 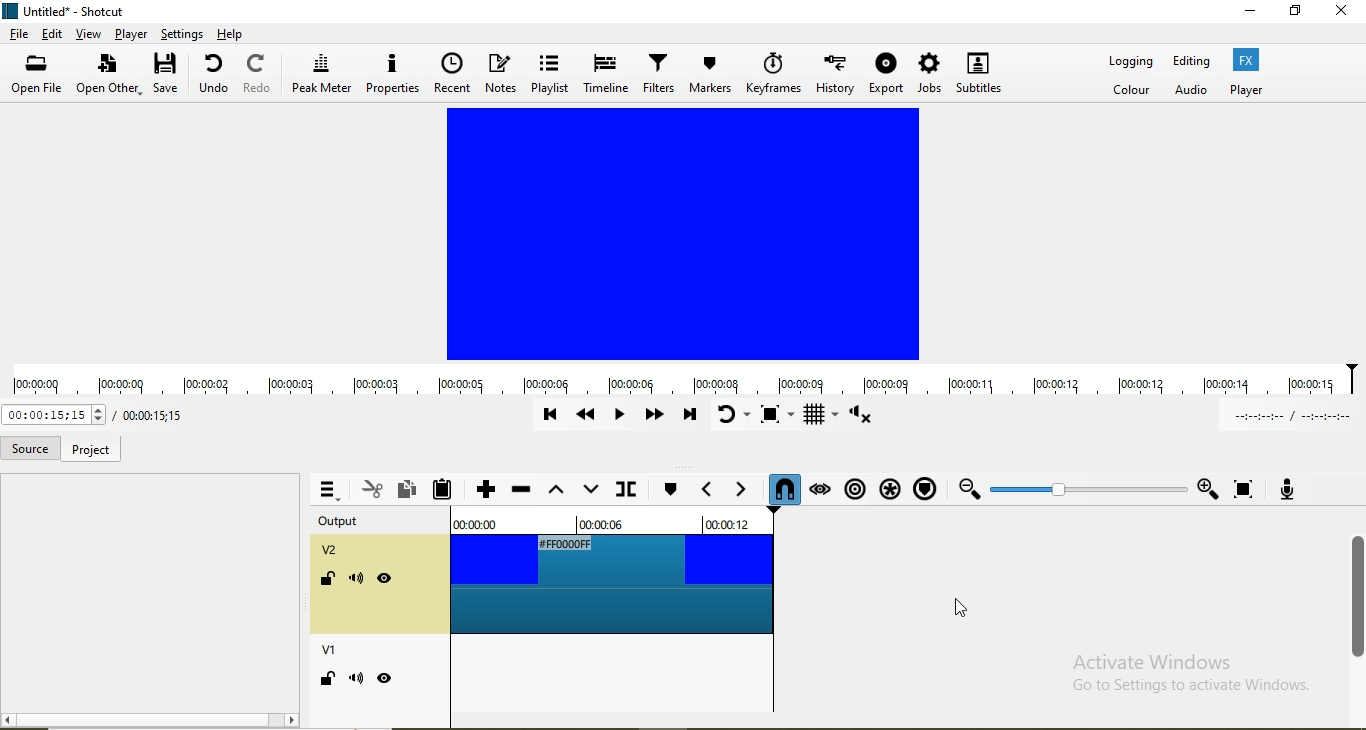 I want to click on Copy, so click(x=410, y=488).